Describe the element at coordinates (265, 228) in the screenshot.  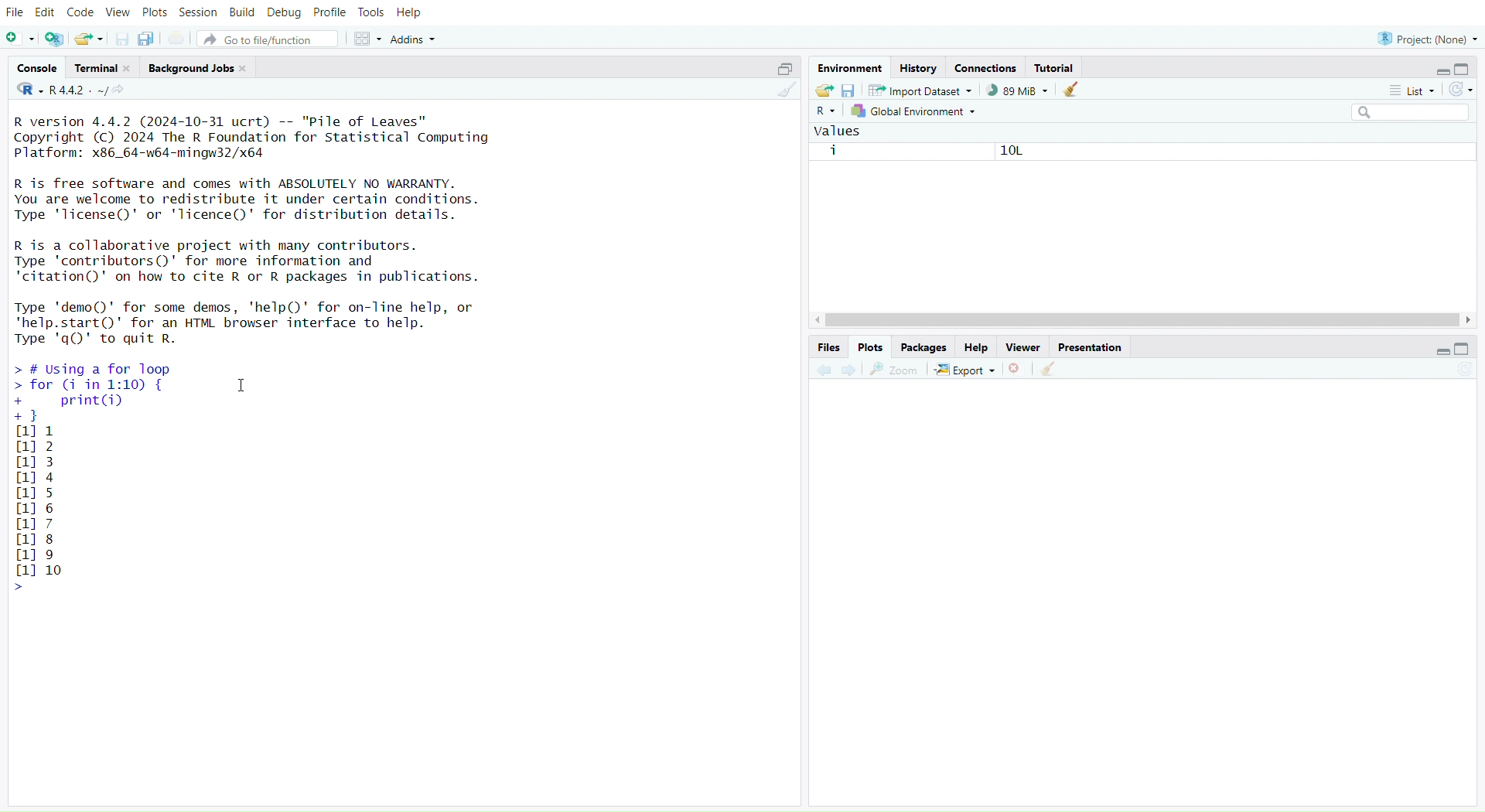
I see `R version 4.4.2 (2024-10-31 ucrt) -- "Pile of Leaves"
Copyright (C) 2024 The R Foundation for Statistical Computing
Platform: x86_64-w64-mingw32/x64
R is free software and comes with ABSOLUTELY NO WARRANTY.
You are welcome to redistribute it under certain conditions.
Type 'license()' or 'licence()' for distribution details.
R is a collaborative project with many contributors.
Type 'contributors()' for more information and
"citation()' on how to cite R or R packages in publications.
Type 'demo()' for some demos, 'help()' for on-line help, or
"help.start()' for an HTML browser interface to help.
Type 'q()' to quit R.
-

I` at that location.